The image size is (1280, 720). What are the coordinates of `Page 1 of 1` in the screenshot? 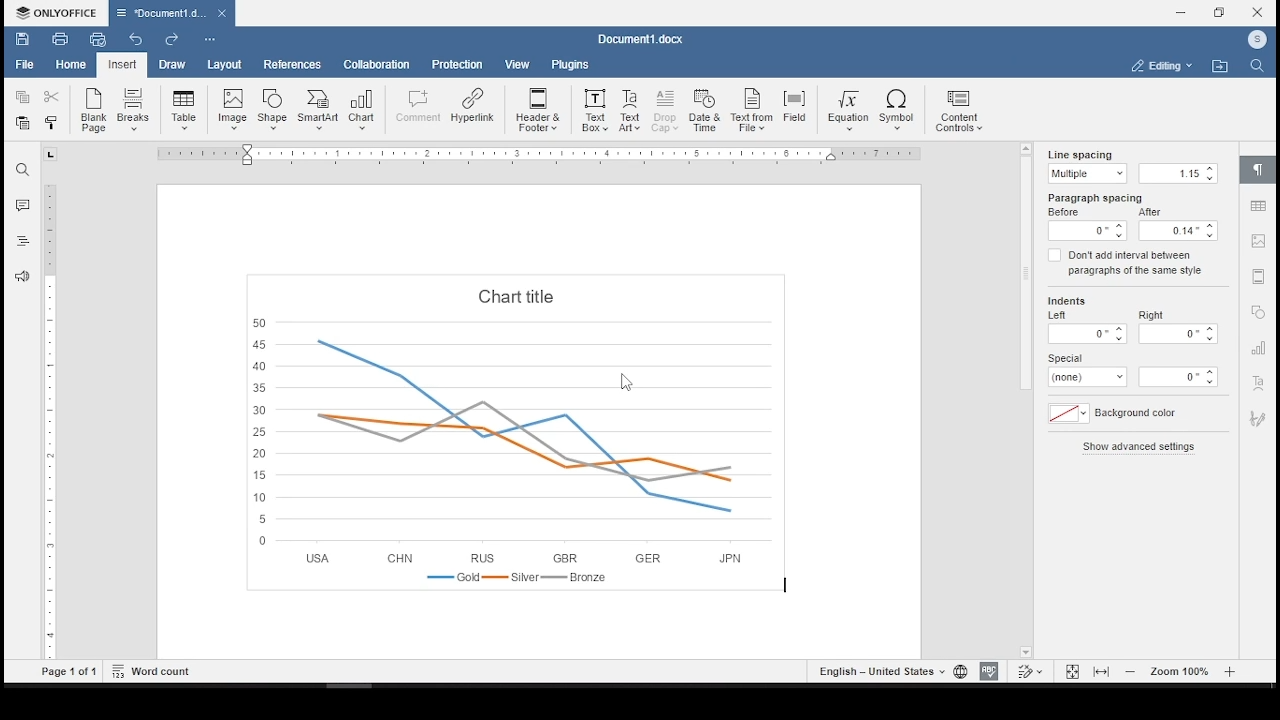 It's located at (69, 672).